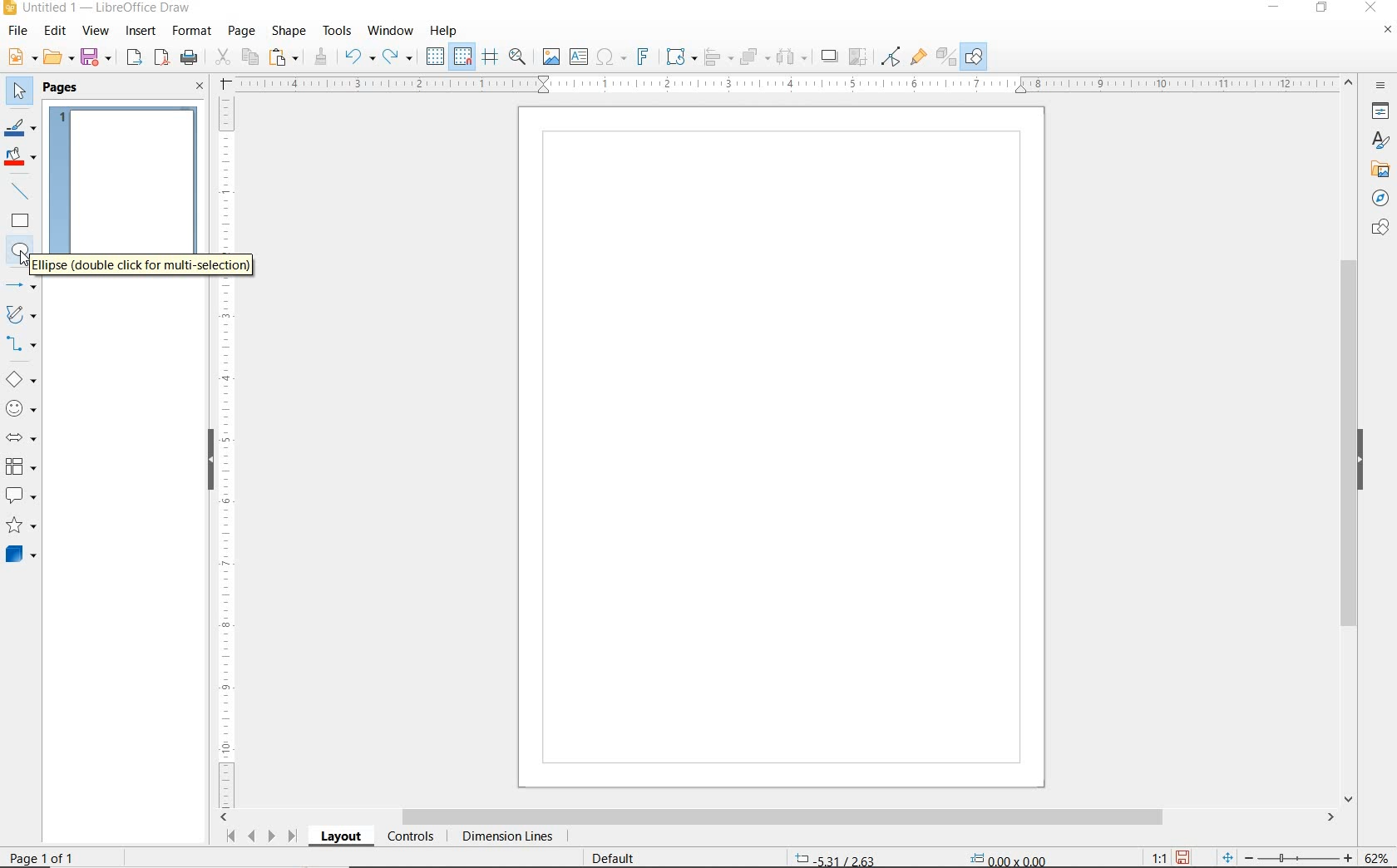  Describe the element at coordinates (830, 58) in the screenshot. I see `SHADOW` at that location.